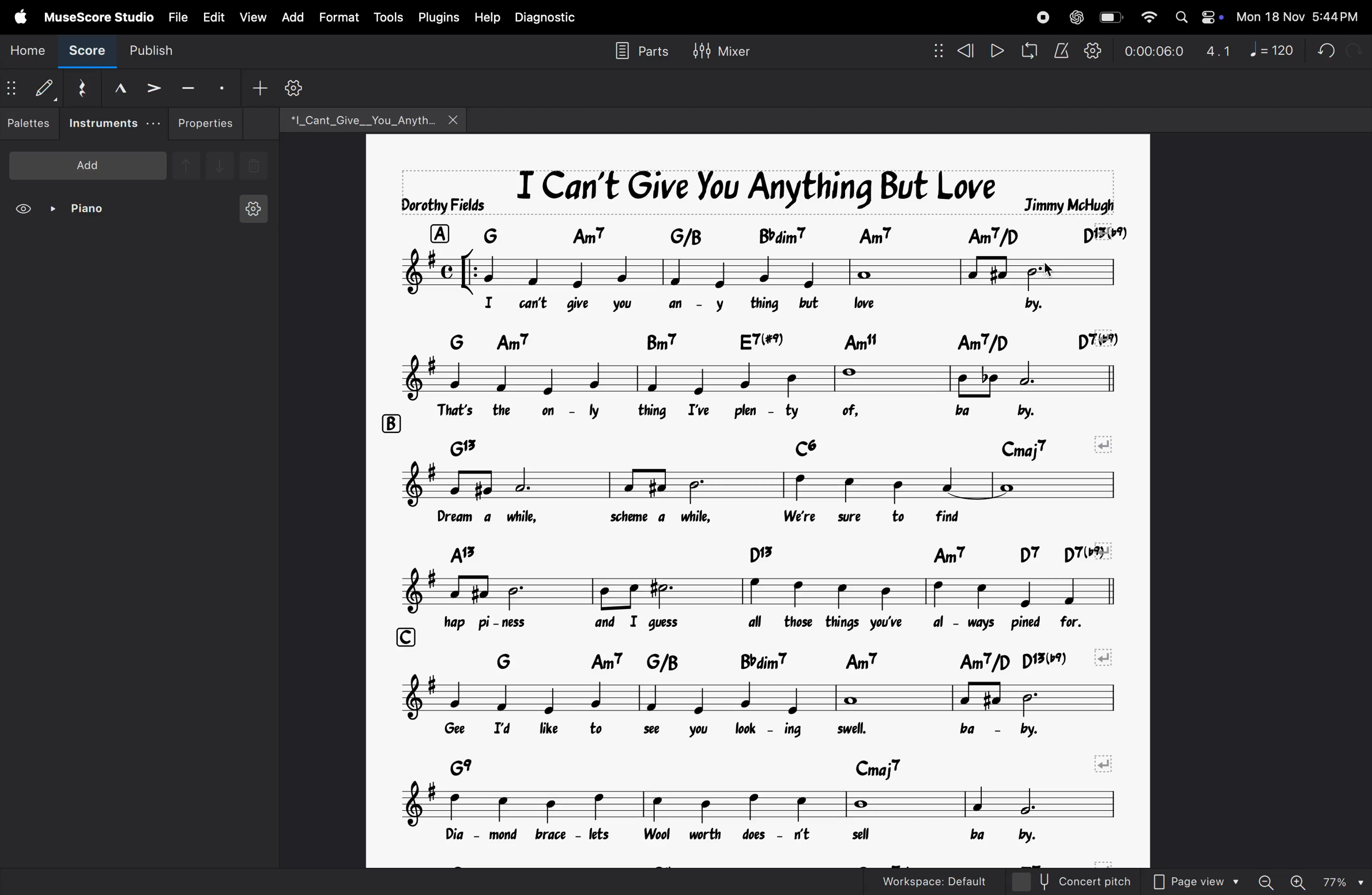  Describe the element at coordinates (997, 51) in the screenshot. I see `play` at that location.